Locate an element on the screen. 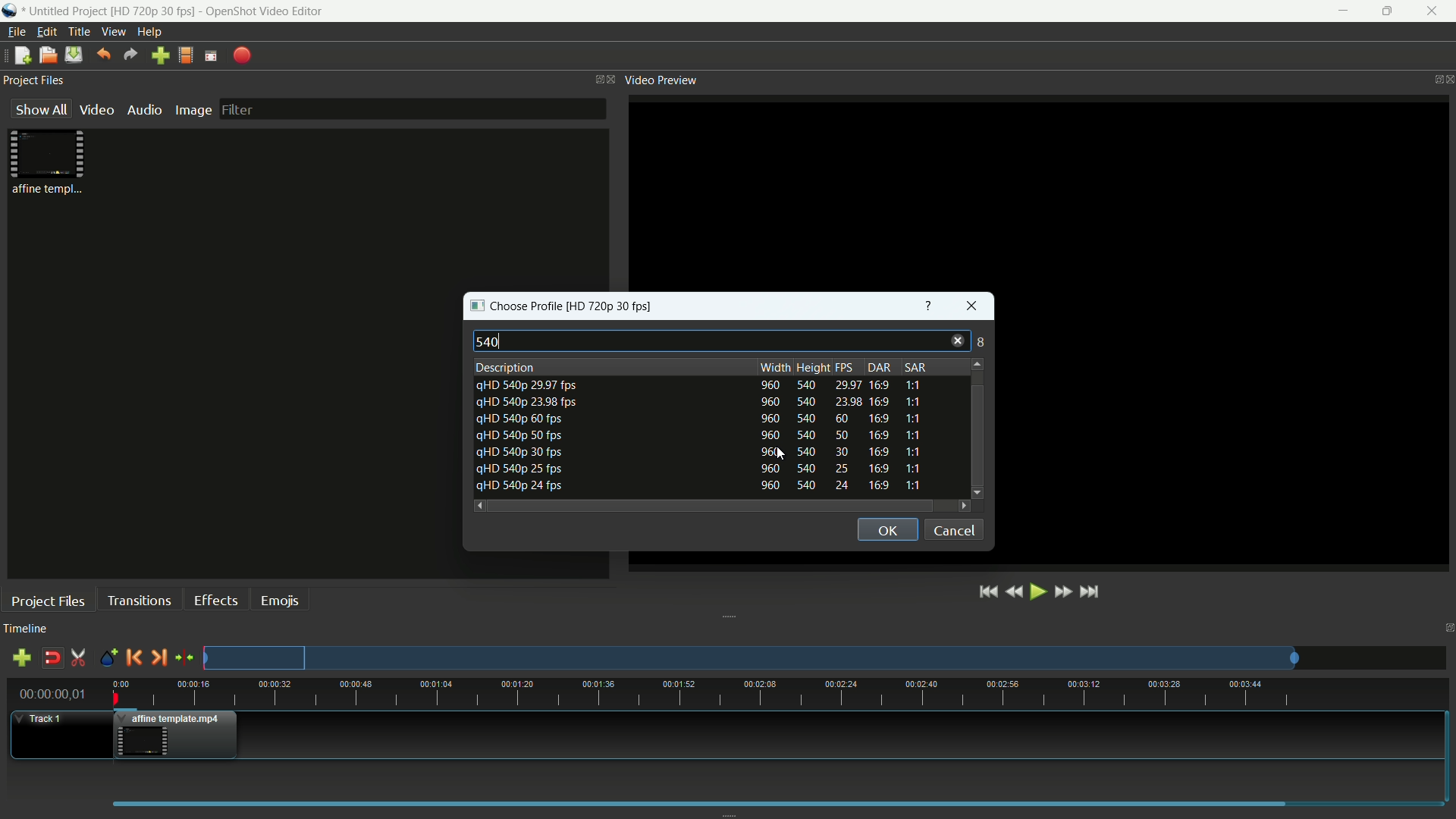  close video preview is located at coordinates (1447, 78).